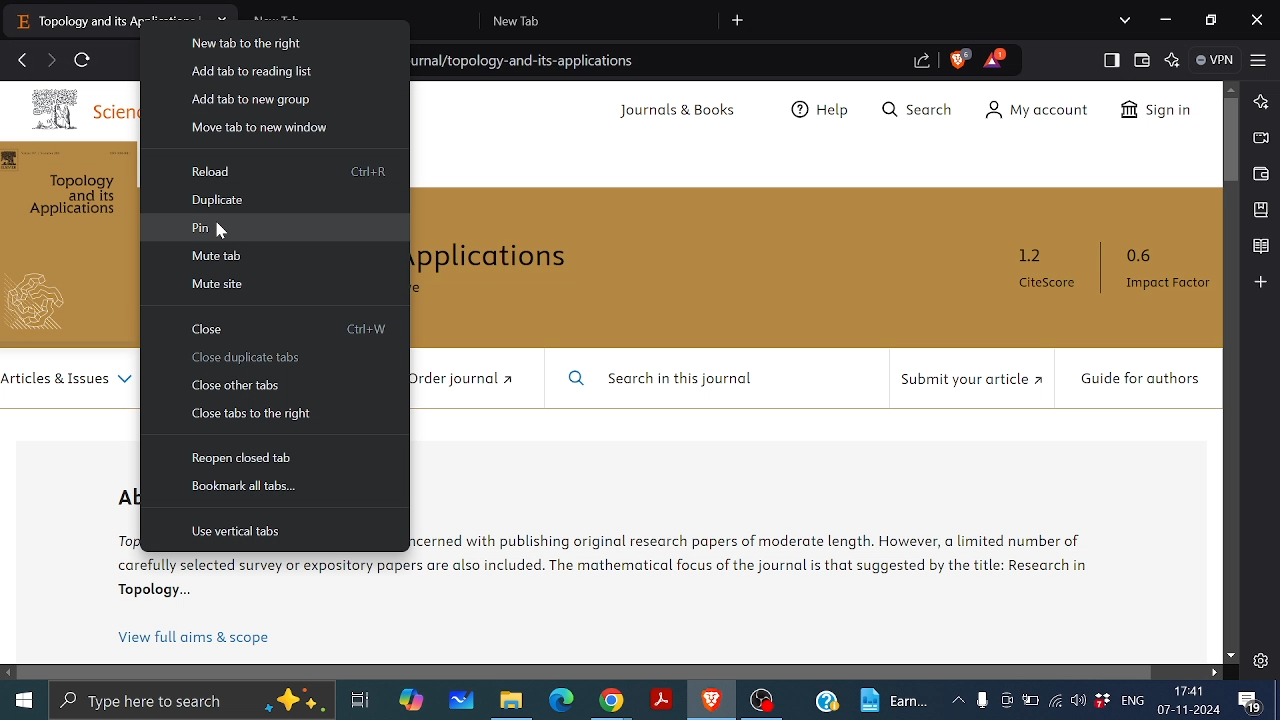 This screenshot has width=1280, height=720. I want to click on L, so click(1260, 102).